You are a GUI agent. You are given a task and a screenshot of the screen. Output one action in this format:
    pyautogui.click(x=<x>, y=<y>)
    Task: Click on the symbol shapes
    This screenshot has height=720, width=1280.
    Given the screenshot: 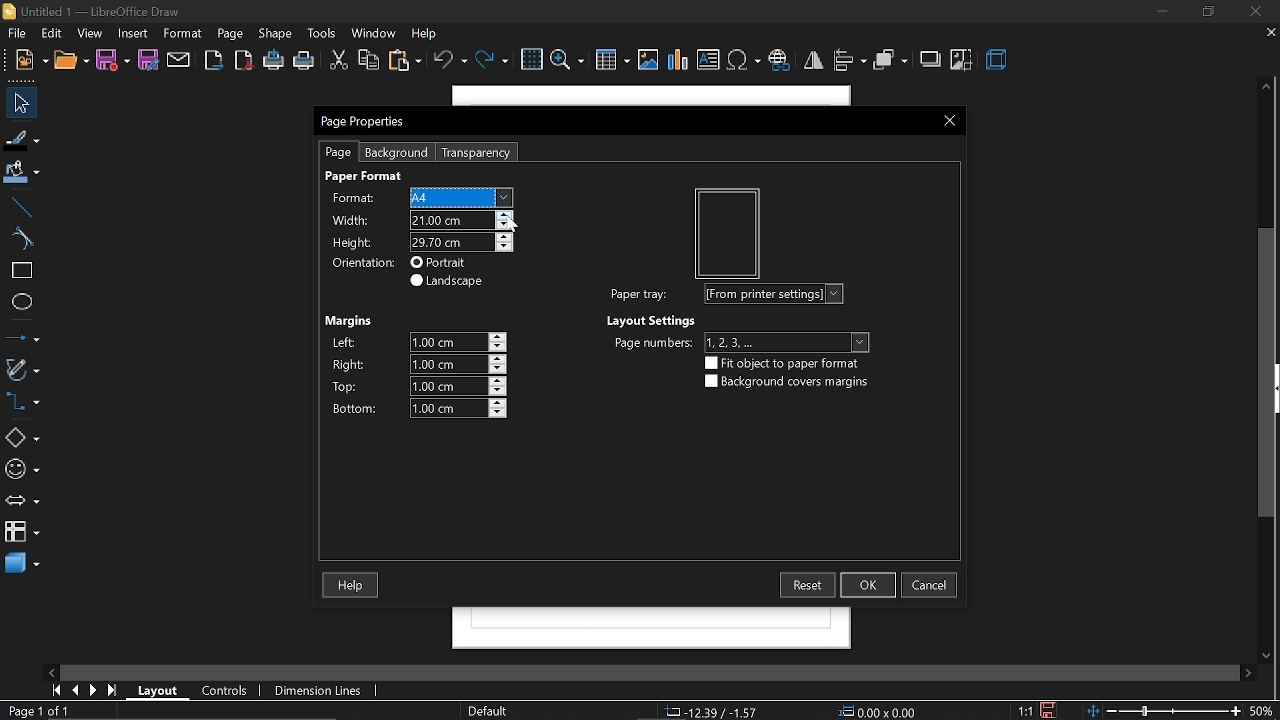 What is the action you would take?
    pyautogui.click(x=22, y=472)
    